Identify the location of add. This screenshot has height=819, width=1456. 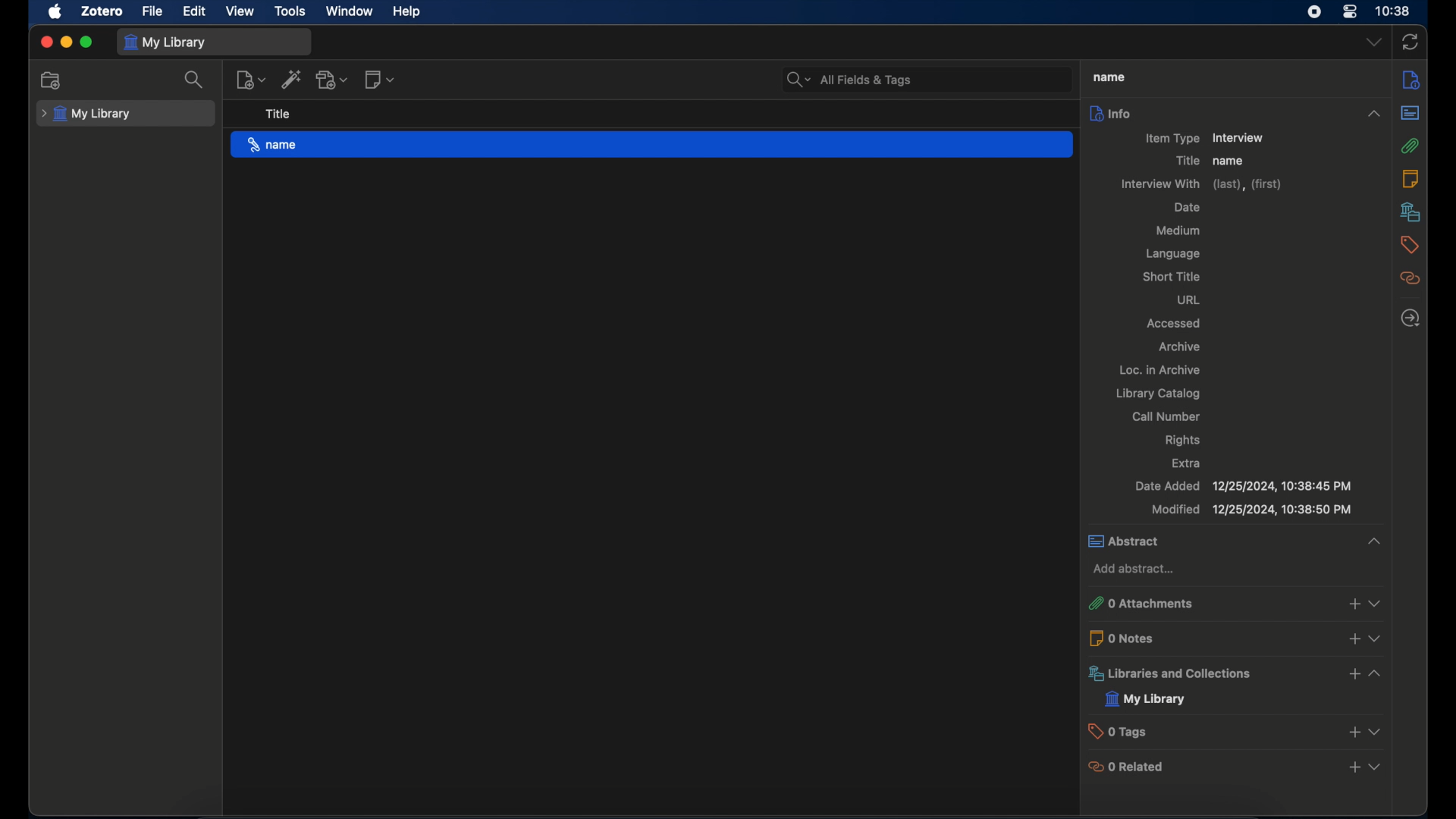
(1354, 641).